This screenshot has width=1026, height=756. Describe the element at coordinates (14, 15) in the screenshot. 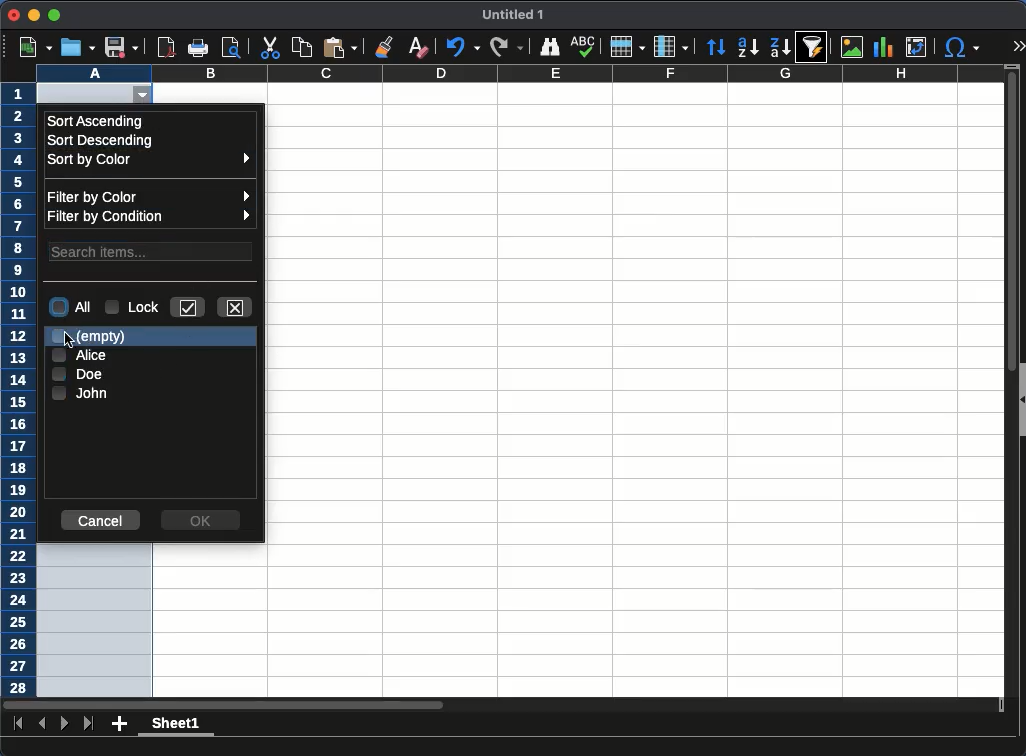

I see `close` at that location.